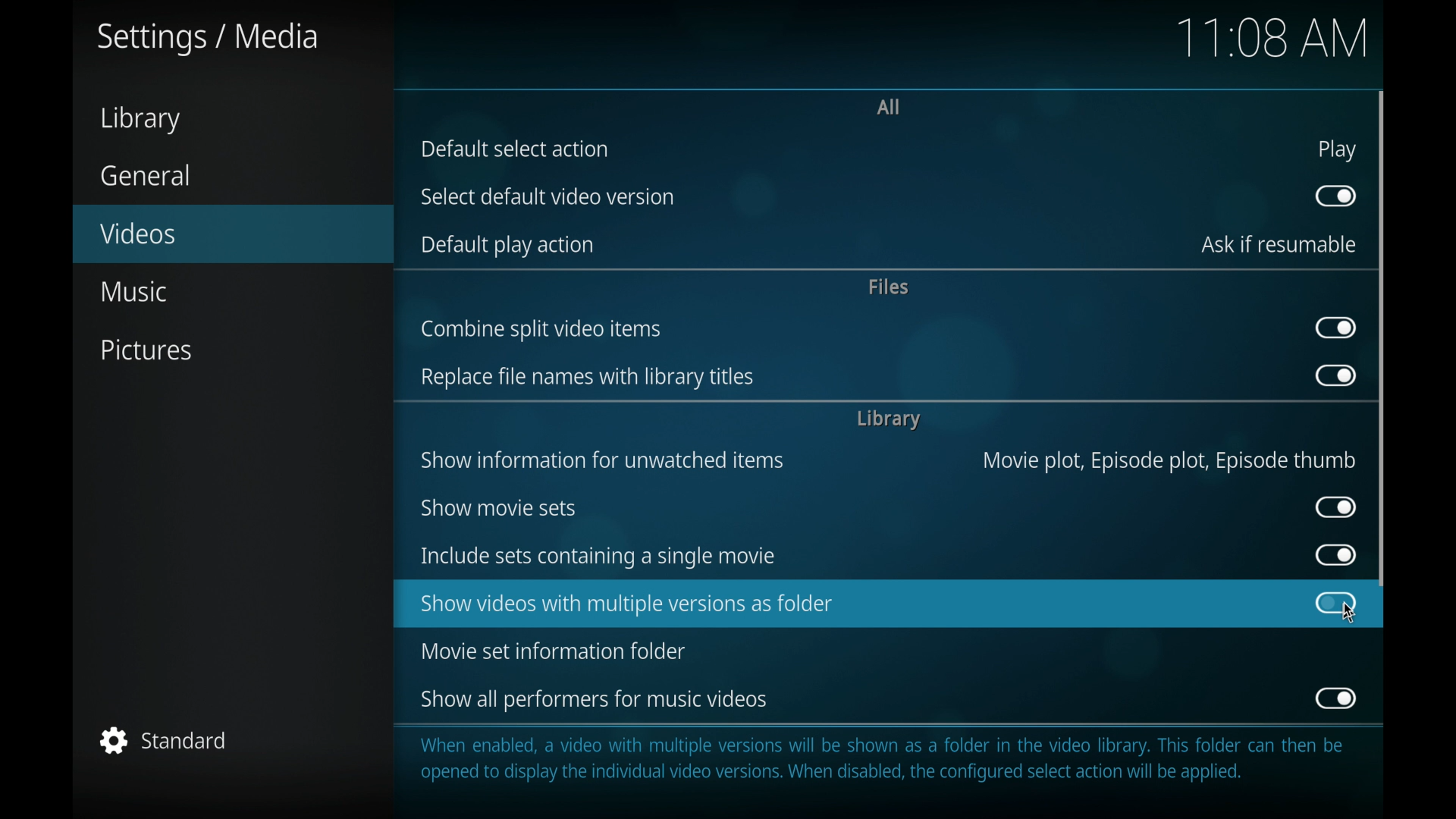 This screenshot has height=819, width=1456. What do you see at coordinates (1279, 245) in the screenshot?
I see `ask if resumable` at bounding box center [1279, 245].